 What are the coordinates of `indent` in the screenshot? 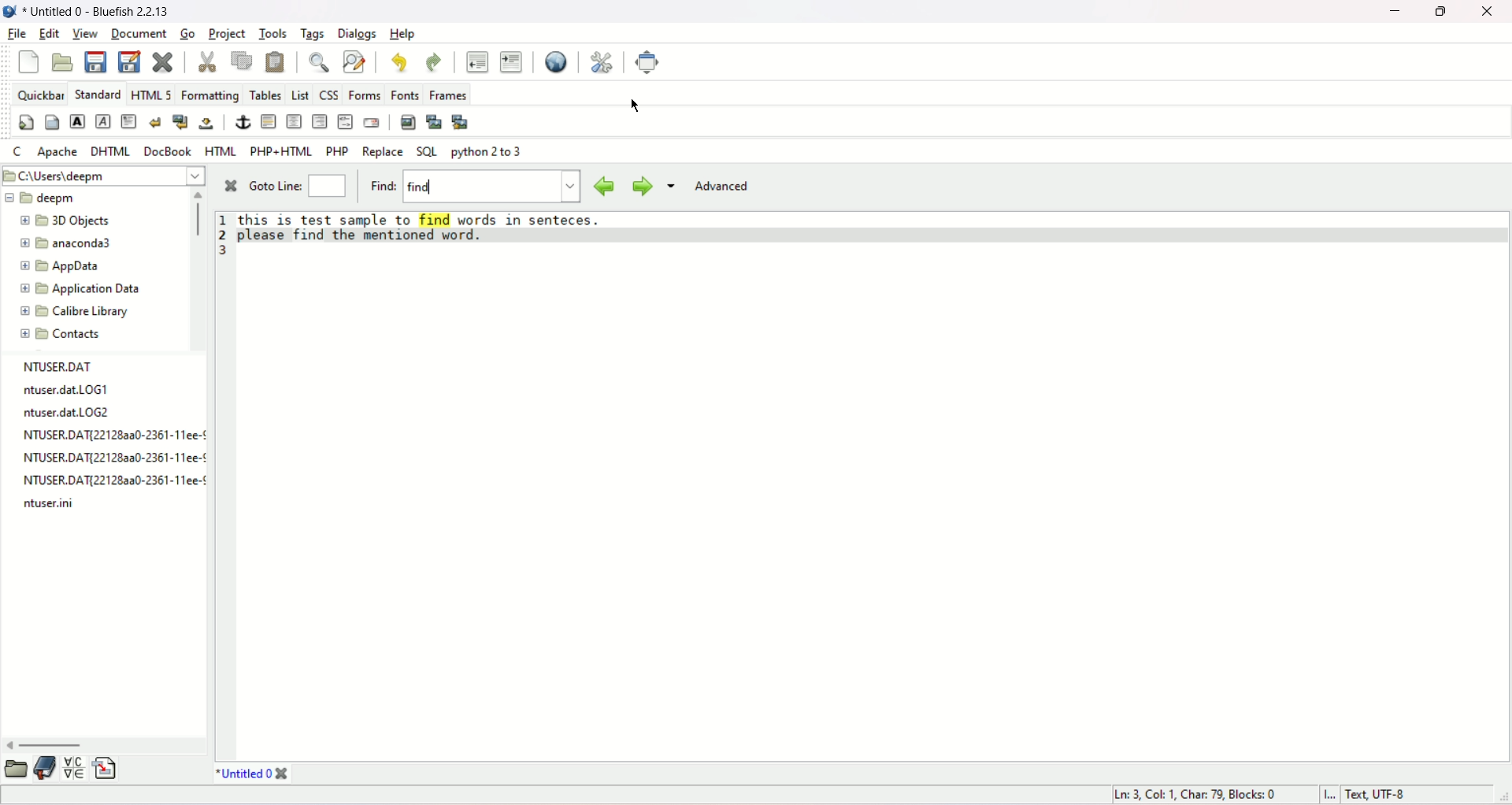 It's located at (513, 62).